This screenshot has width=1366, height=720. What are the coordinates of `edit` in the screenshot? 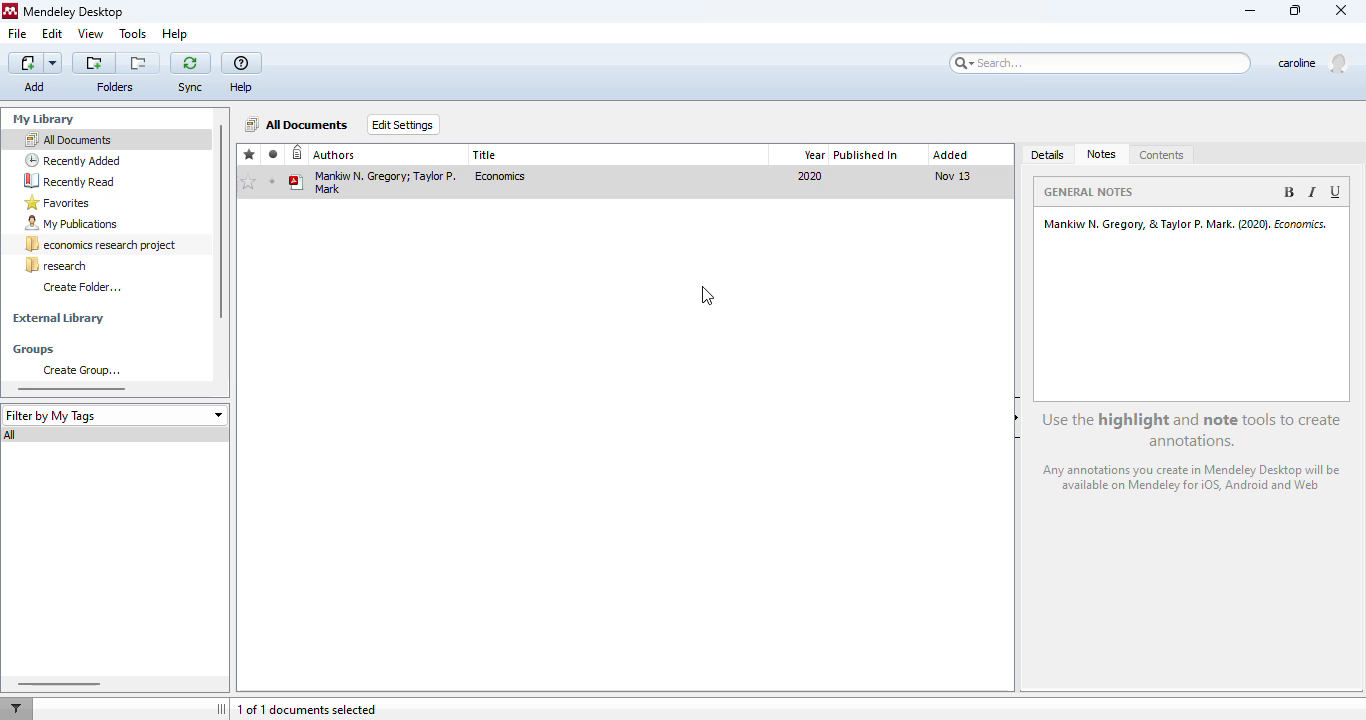 It's located at (52, 33).